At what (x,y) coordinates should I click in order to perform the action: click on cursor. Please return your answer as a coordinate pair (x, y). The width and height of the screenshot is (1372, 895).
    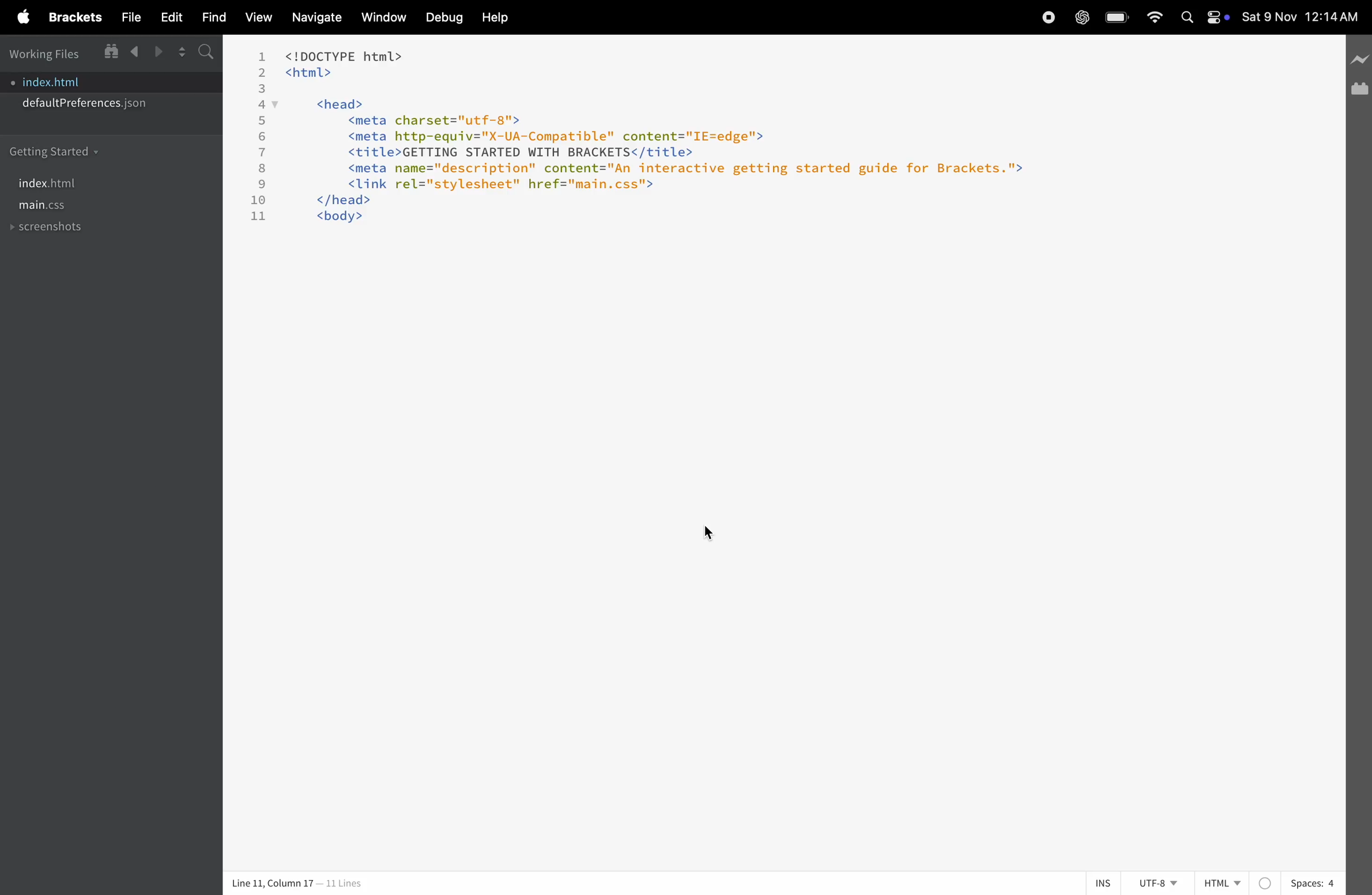
    Looking at the image, I should click on (710, 535).